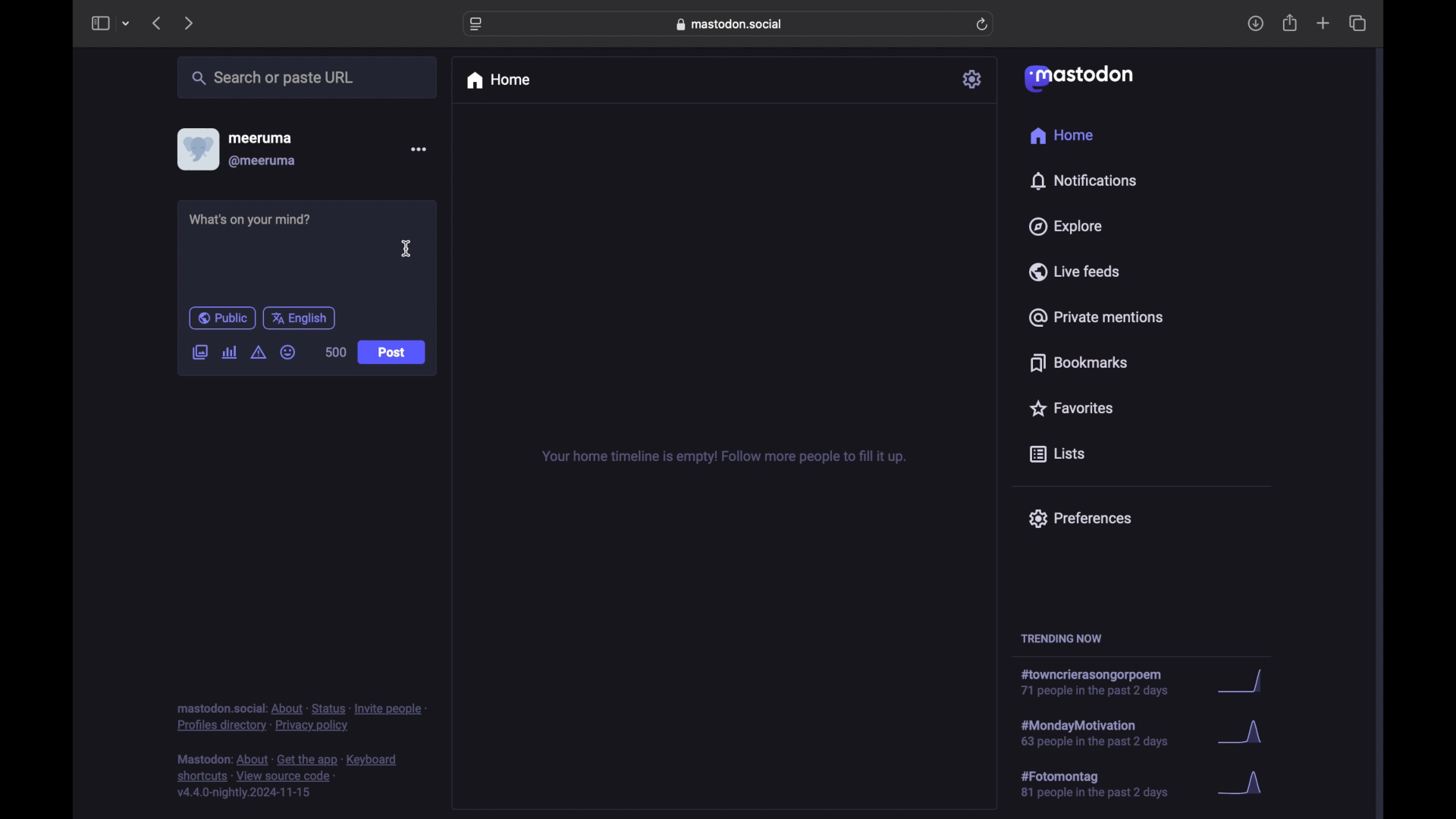  Describe the element at coordinates (196, 149) in the screenshot. I see `display picture` at that location.